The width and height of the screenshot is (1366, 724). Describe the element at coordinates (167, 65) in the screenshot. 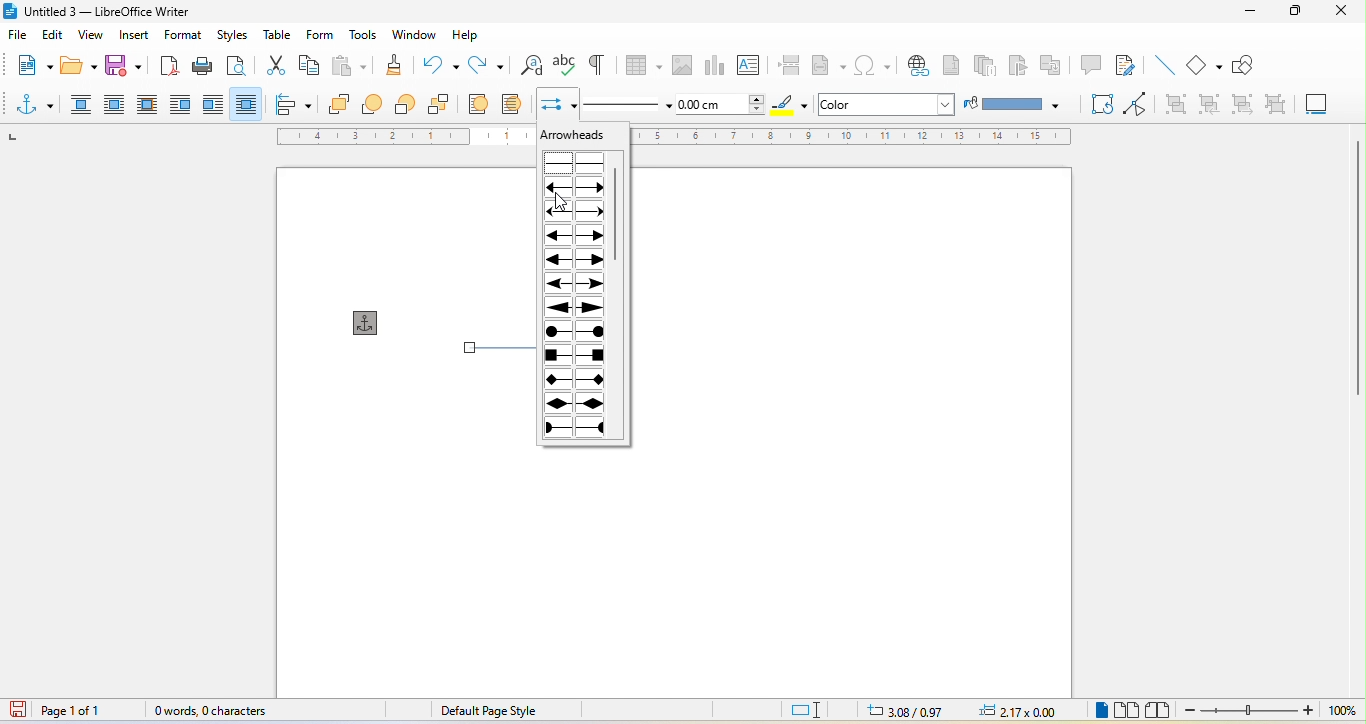

I see `export directly as pdf` at that location.